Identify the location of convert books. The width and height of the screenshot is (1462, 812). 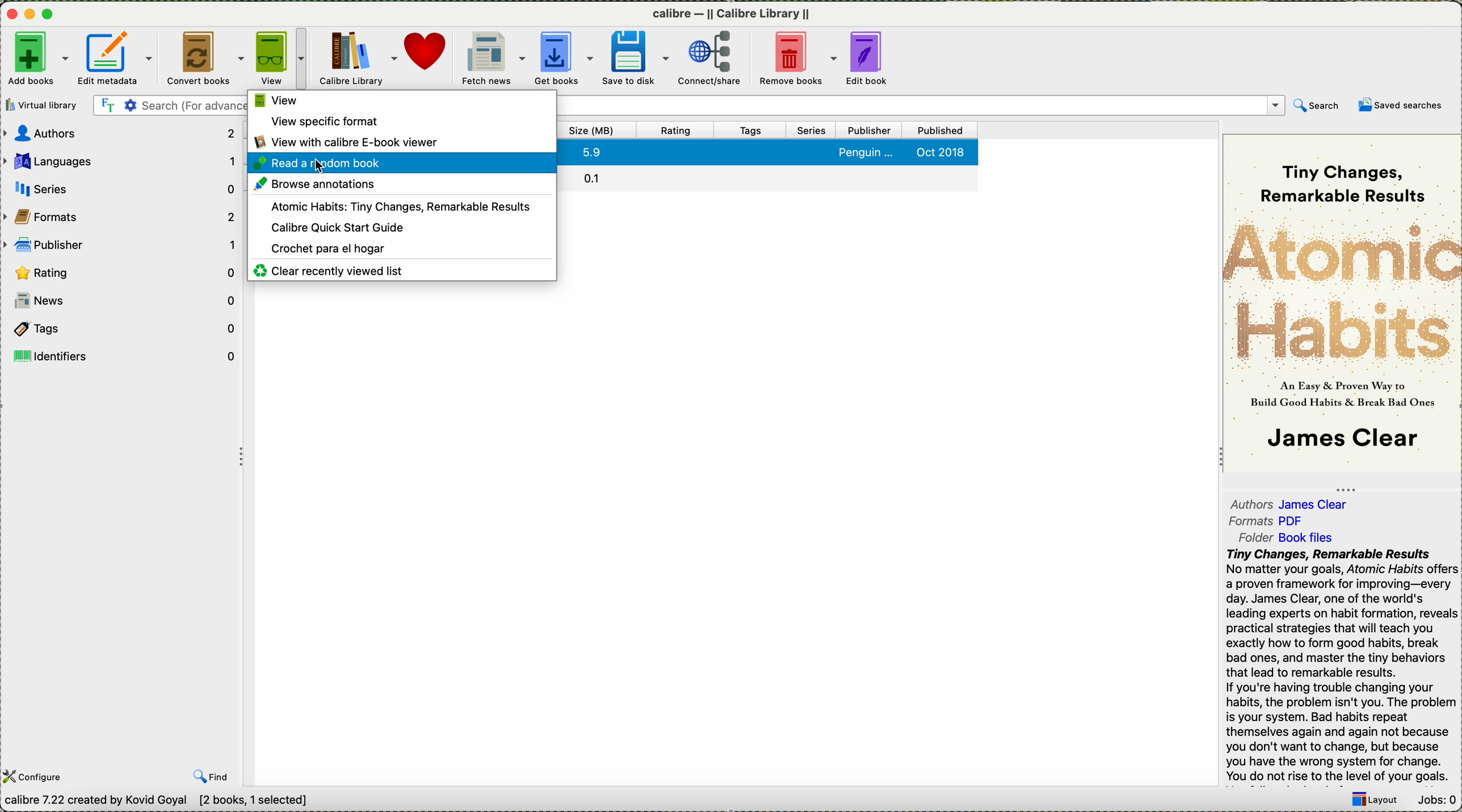
(207, 58).